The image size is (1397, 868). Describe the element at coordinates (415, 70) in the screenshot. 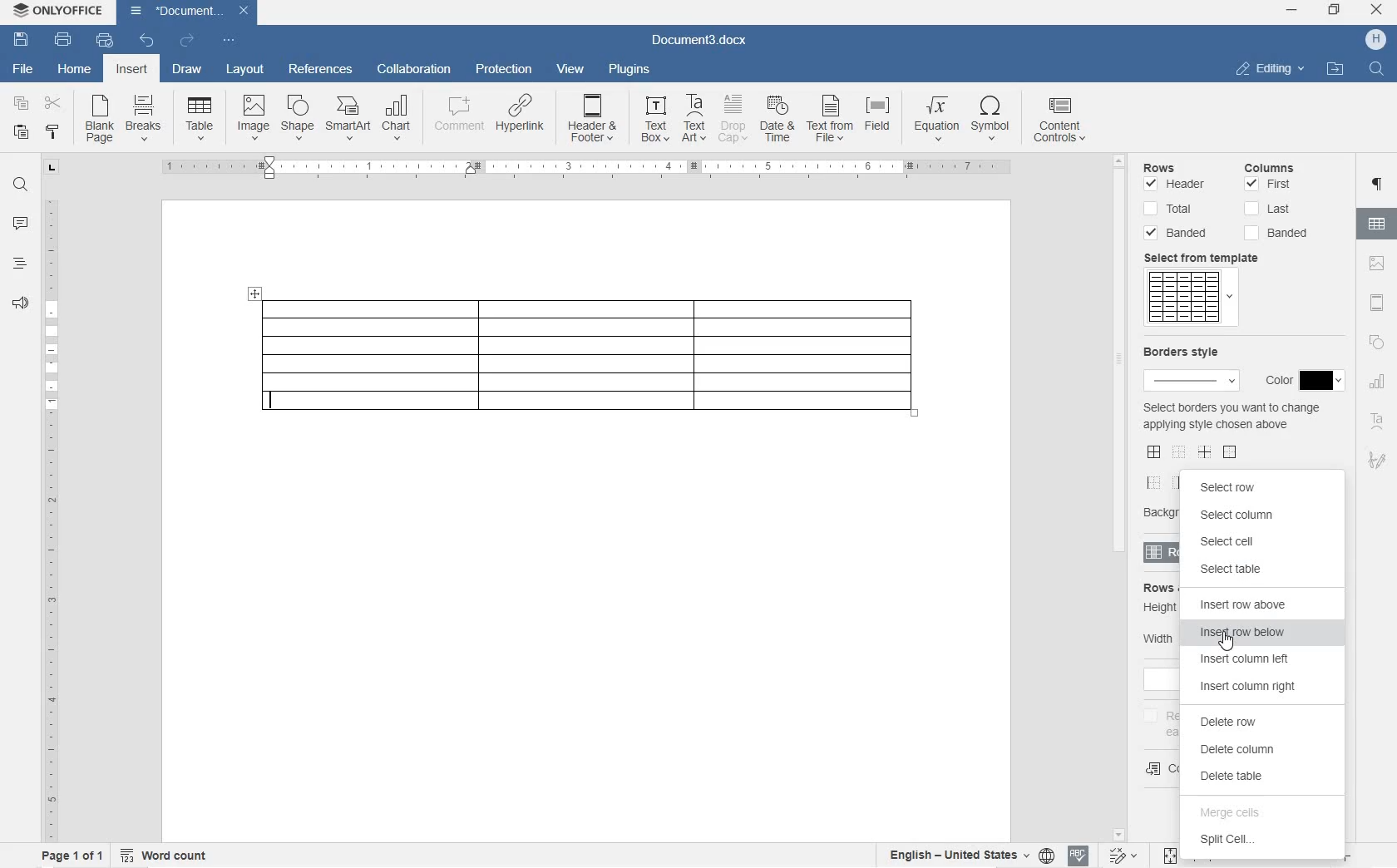

I see `COLLABORATION` at that location.